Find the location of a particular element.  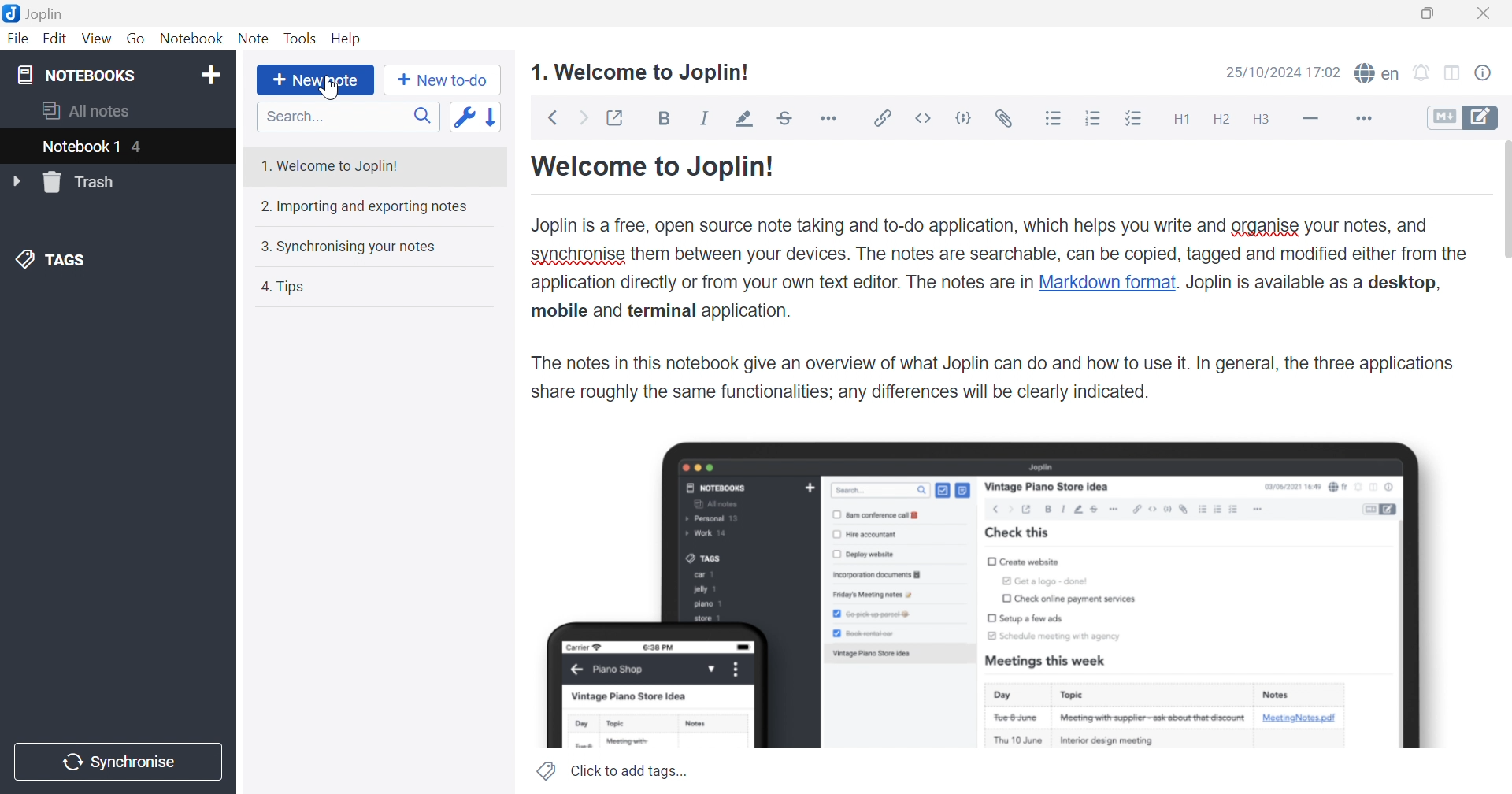

NOTEBOOKS is located at coordinates (80, 76).